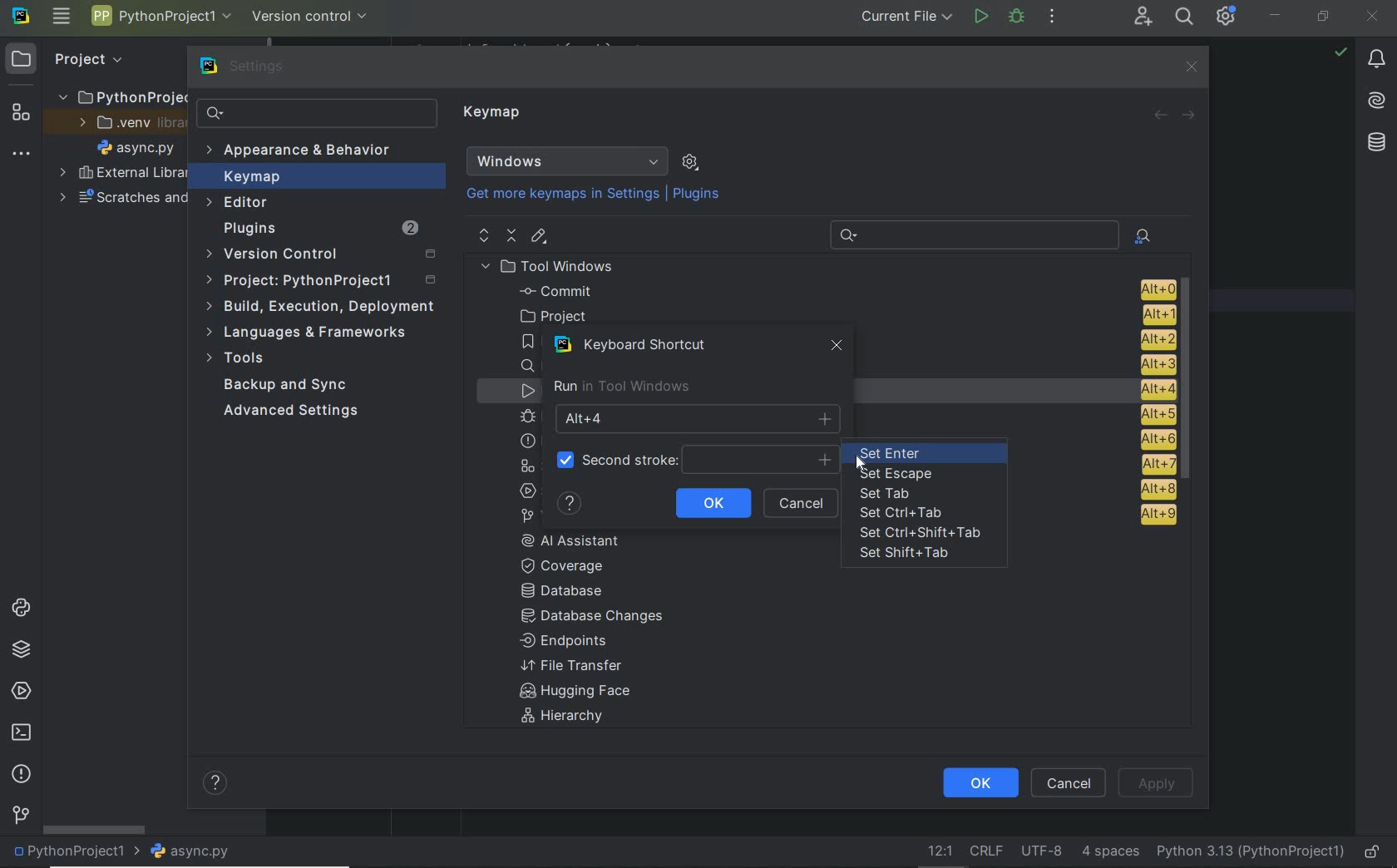 Image resolution: width=1397 pixels, height=868 pixels. What do you see at coordinates (1156, 338) in the screenshot?
I see `alt + 2` at bounding box center [1156, 338].